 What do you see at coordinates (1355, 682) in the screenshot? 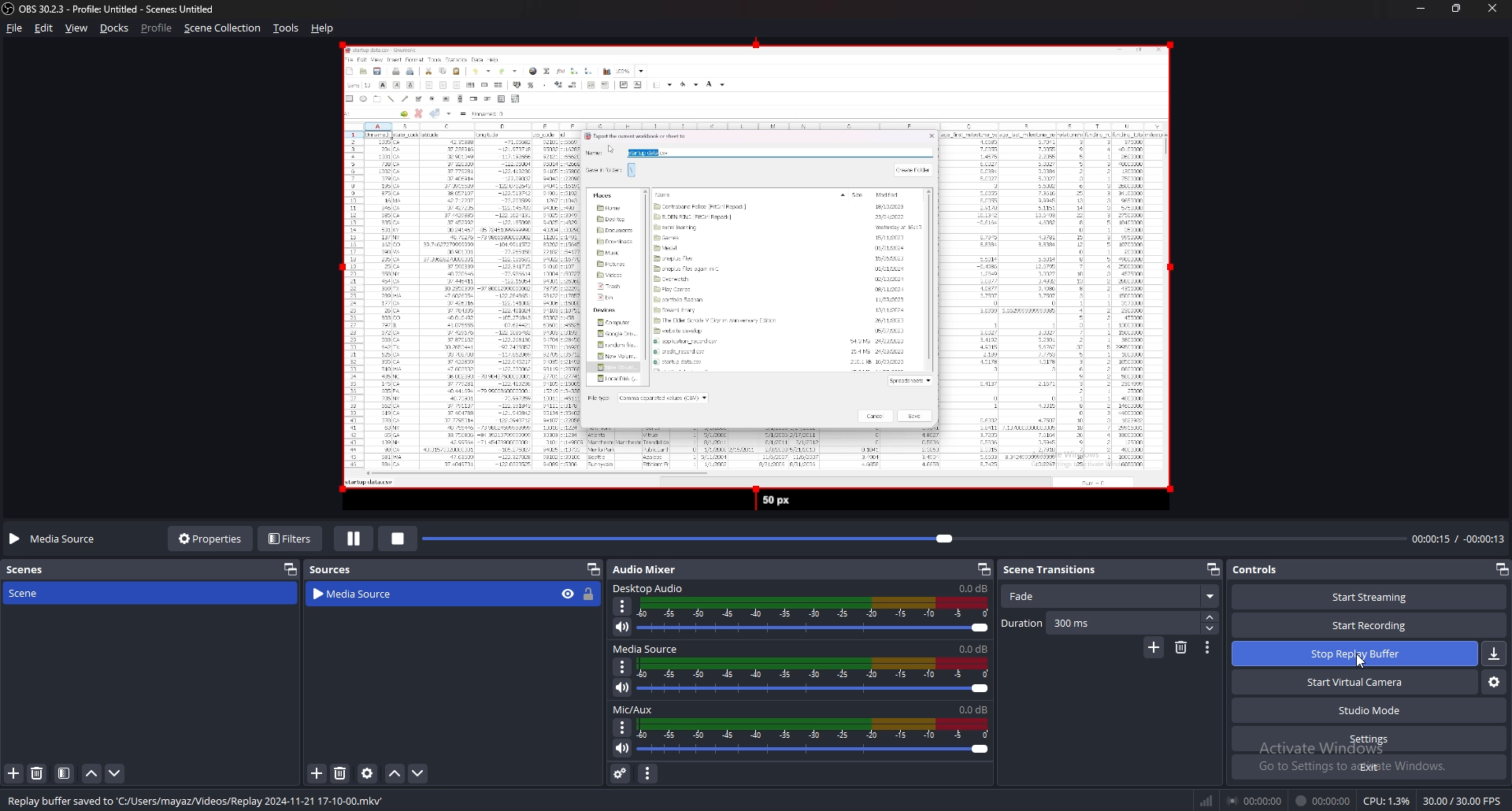
I see `start virtual camera` at bounding box center [1355, 682].